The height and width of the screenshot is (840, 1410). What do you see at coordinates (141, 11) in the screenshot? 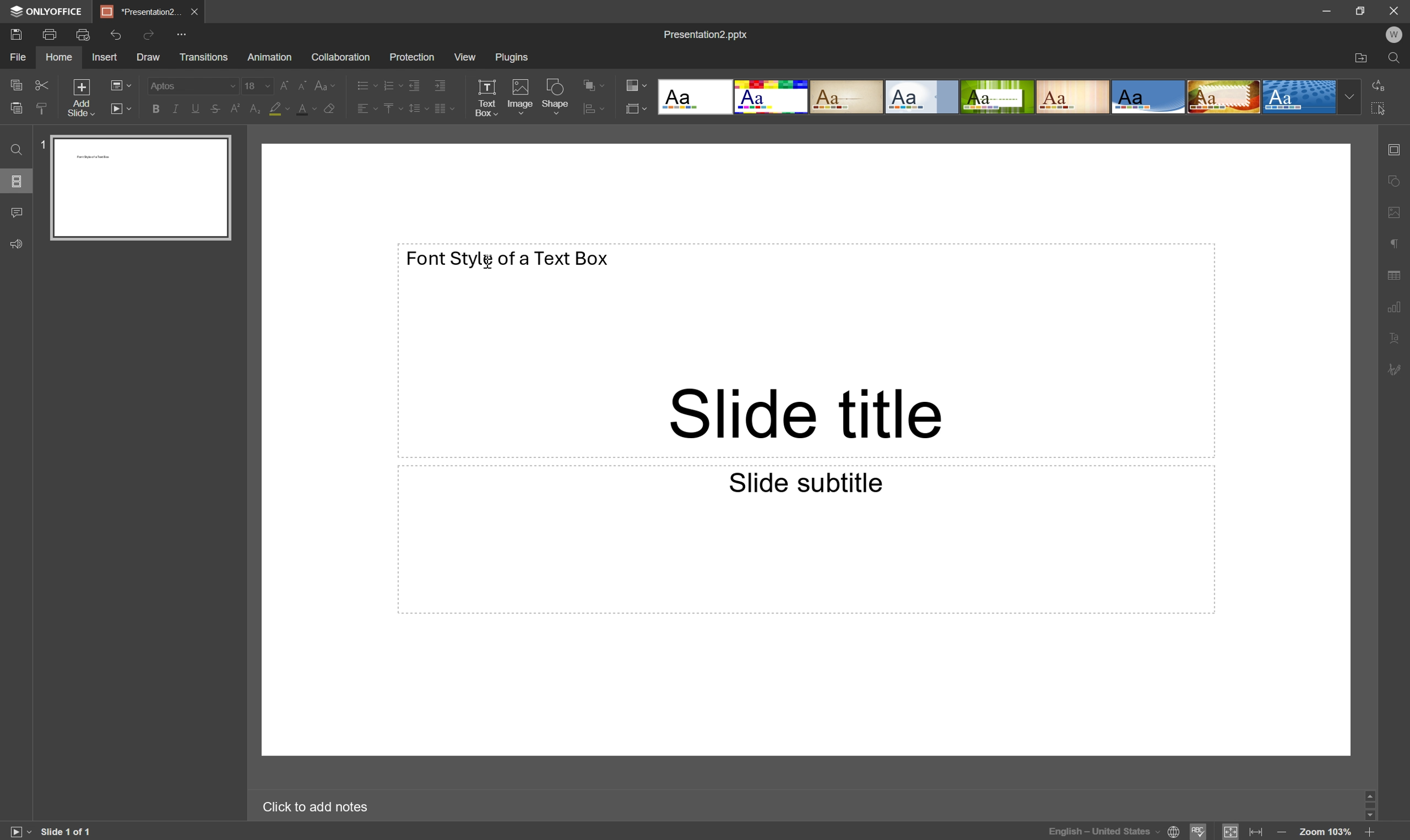
I see `*Presentation2...` at bounding box center [141, 11].